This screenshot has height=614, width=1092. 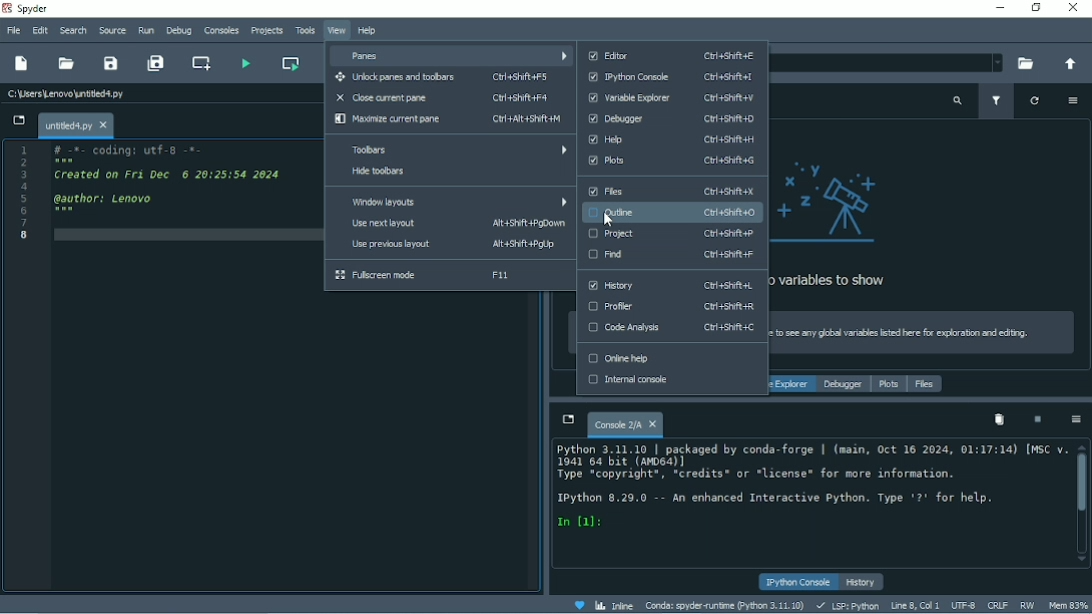 I want to click on RW, so click(x=1028, y=605).